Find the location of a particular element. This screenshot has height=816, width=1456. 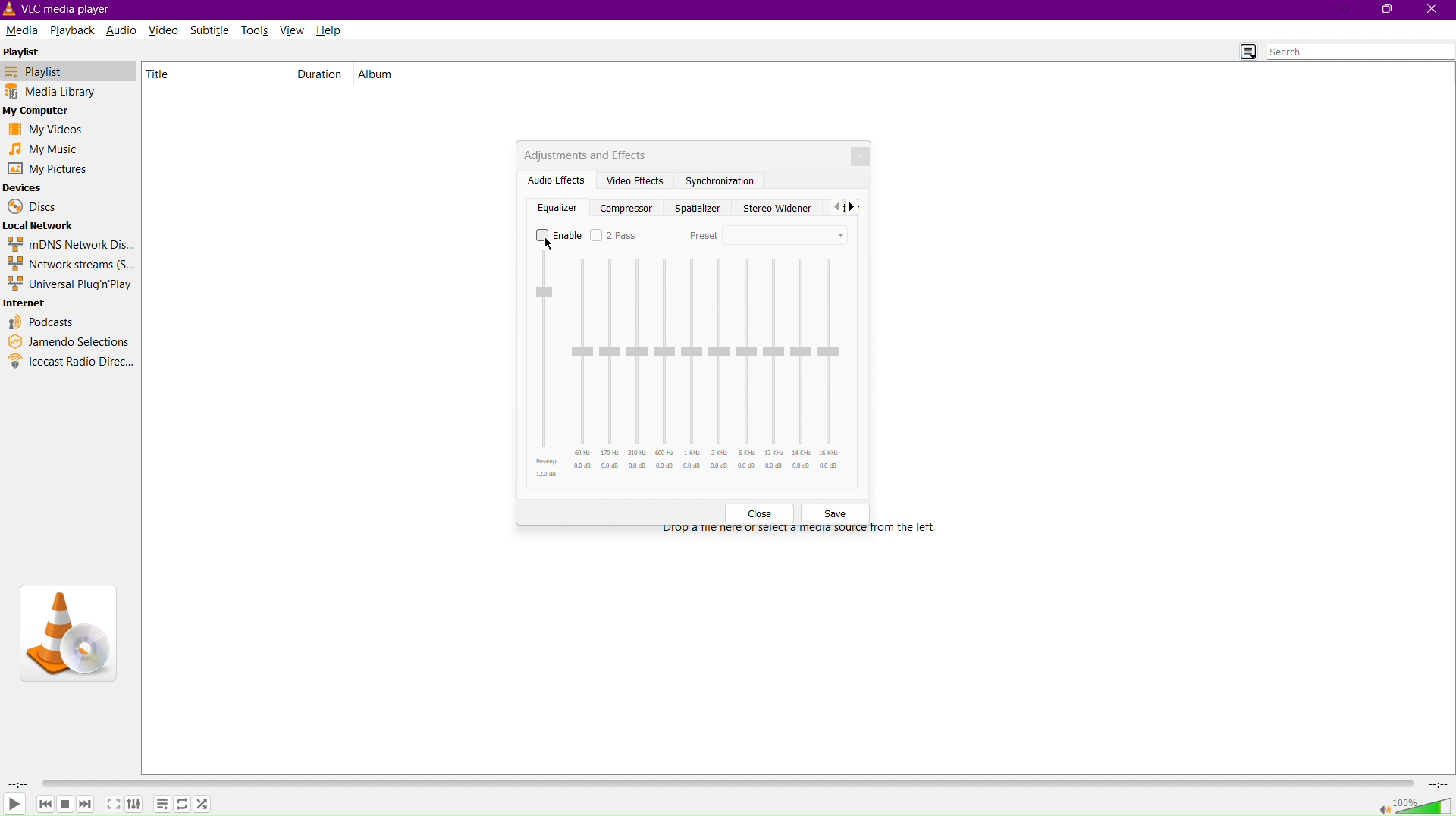

Toggle Playlist view is located at coordinates (1245, 52).